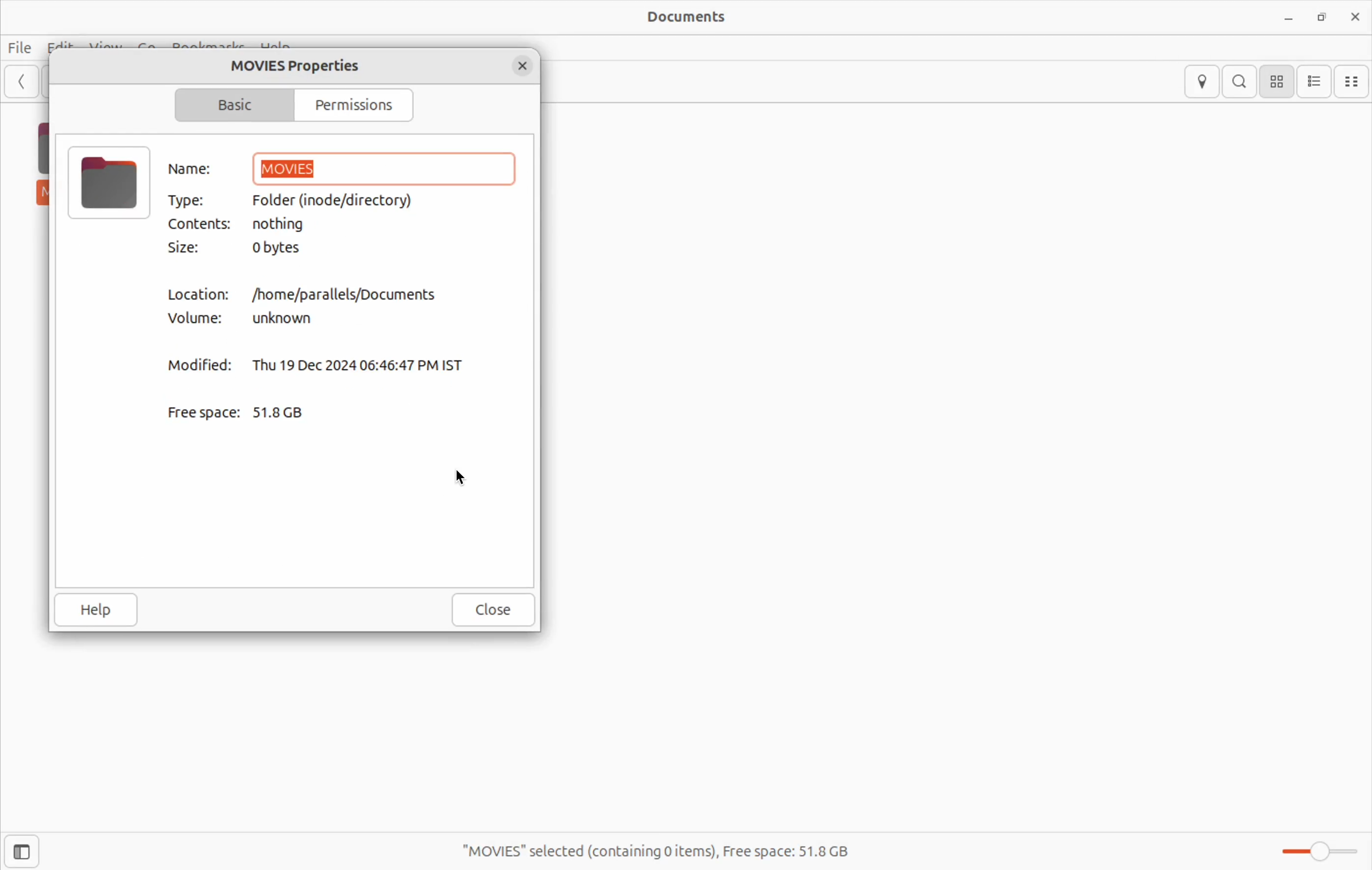 This screenshot has height=870, width=1372. What do you see at coordinates (197, 169) in the screenshot?
I see `name` at bounding box center [197, 169].